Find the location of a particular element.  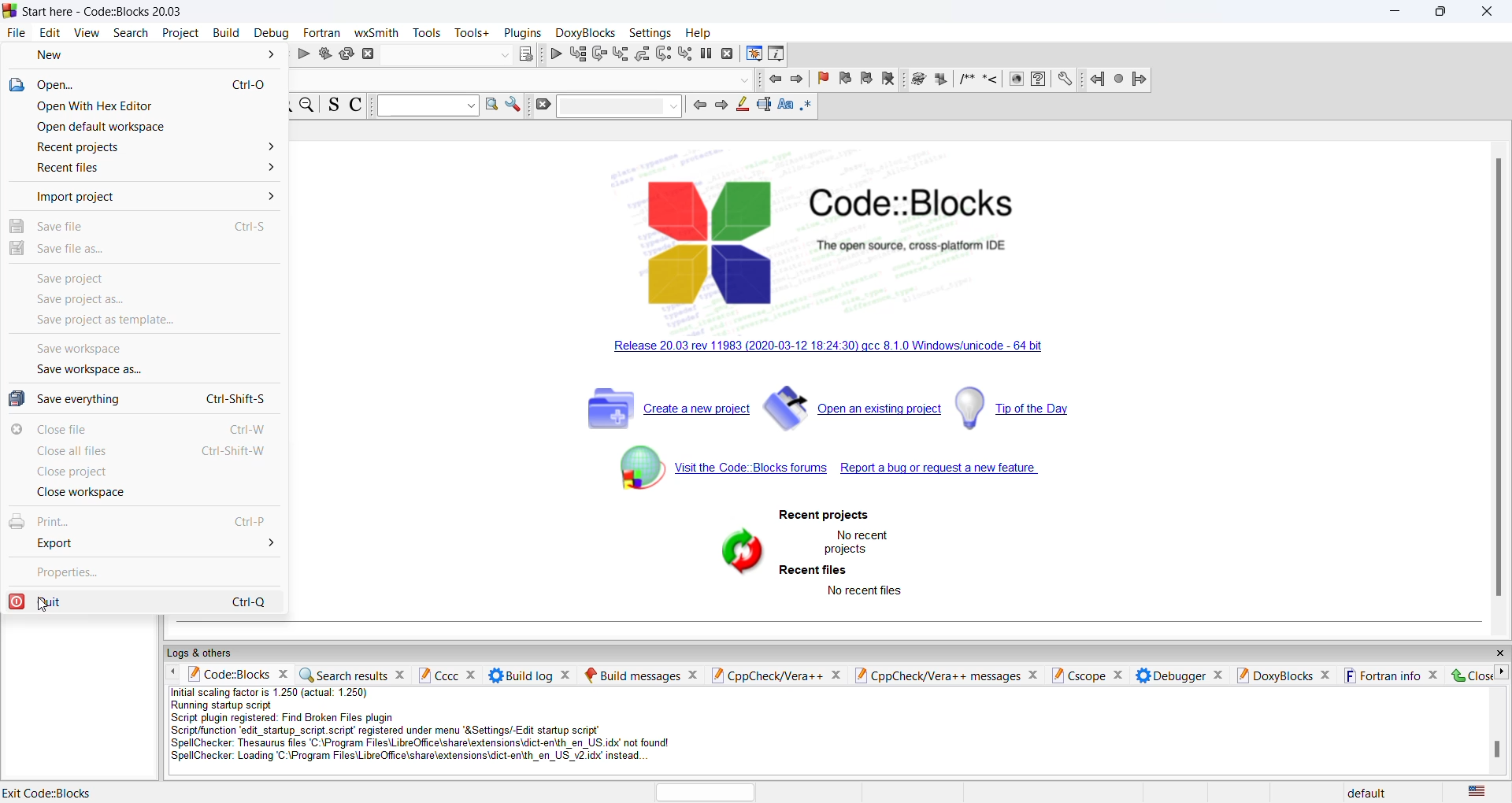

debug is located at coordinates (271, 33).